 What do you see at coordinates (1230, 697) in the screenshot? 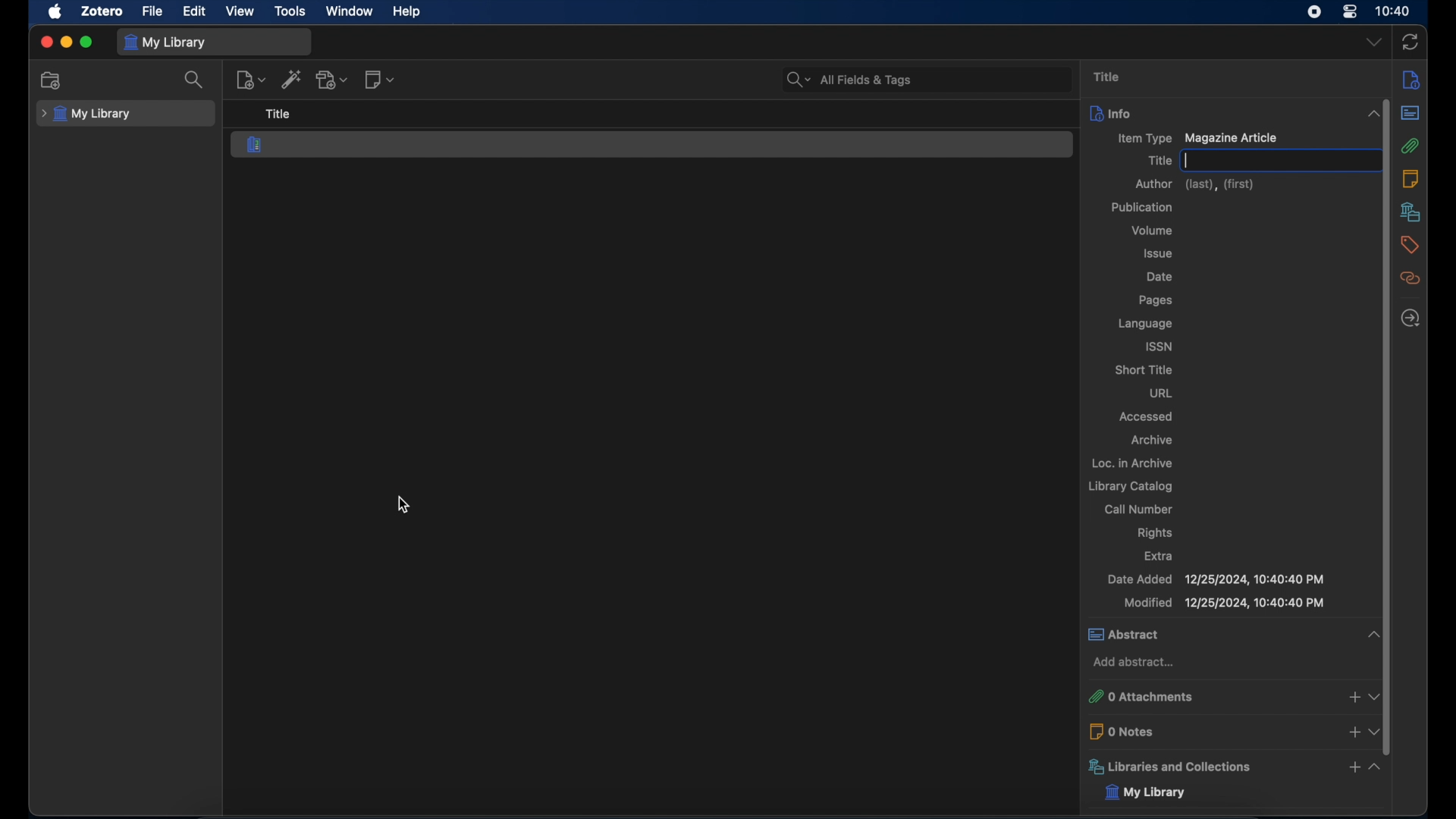
I see `0 attachments` at bounding box center [1230, 697].